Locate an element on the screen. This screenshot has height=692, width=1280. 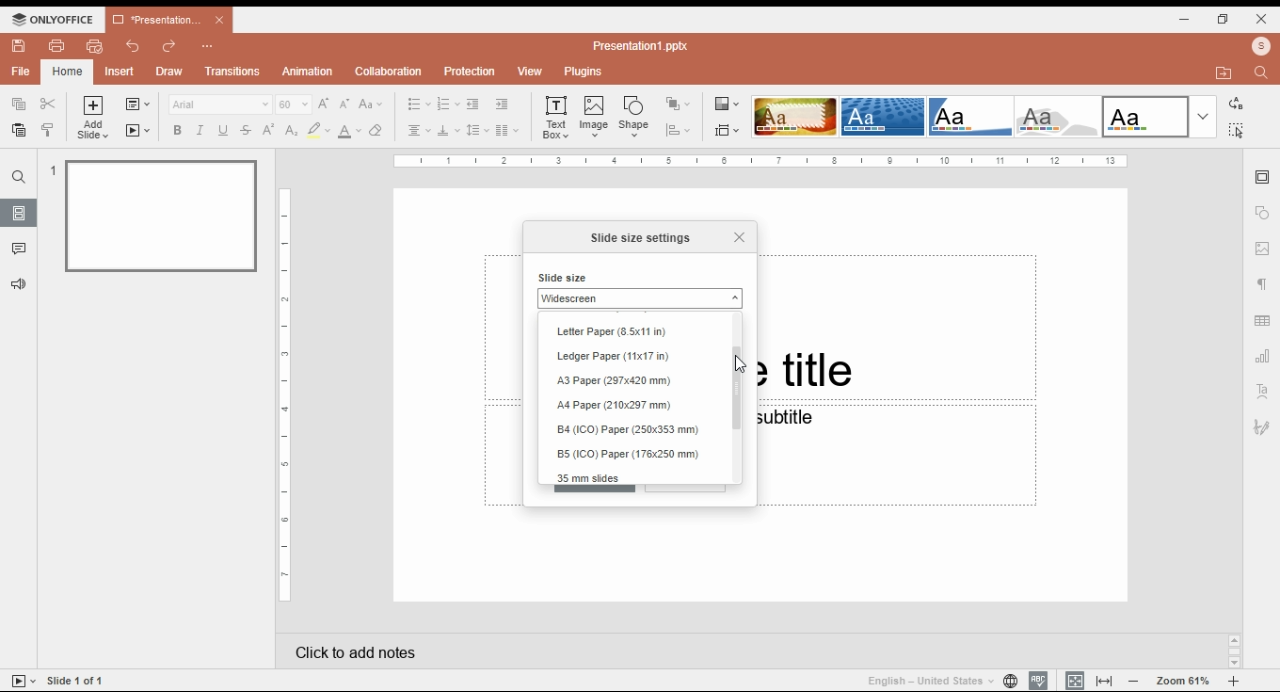
insert is located at coordinates (120, 72).